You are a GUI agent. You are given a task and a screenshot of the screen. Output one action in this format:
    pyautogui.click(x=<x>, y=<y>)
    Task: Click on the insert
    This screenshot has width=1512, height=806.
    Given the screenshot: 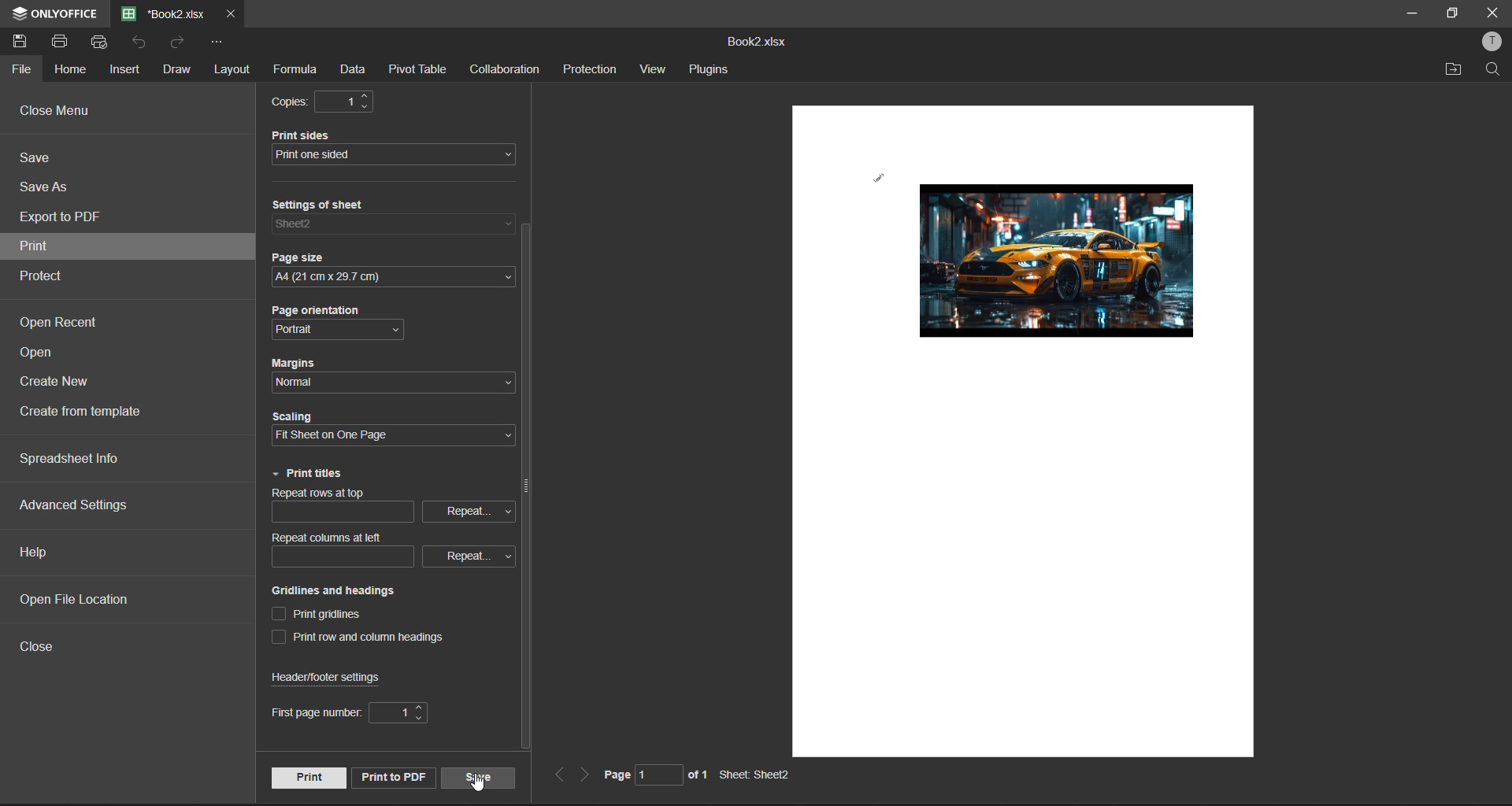 What is the action you would take?
    pyautogui.click(x=127, y=70)
    